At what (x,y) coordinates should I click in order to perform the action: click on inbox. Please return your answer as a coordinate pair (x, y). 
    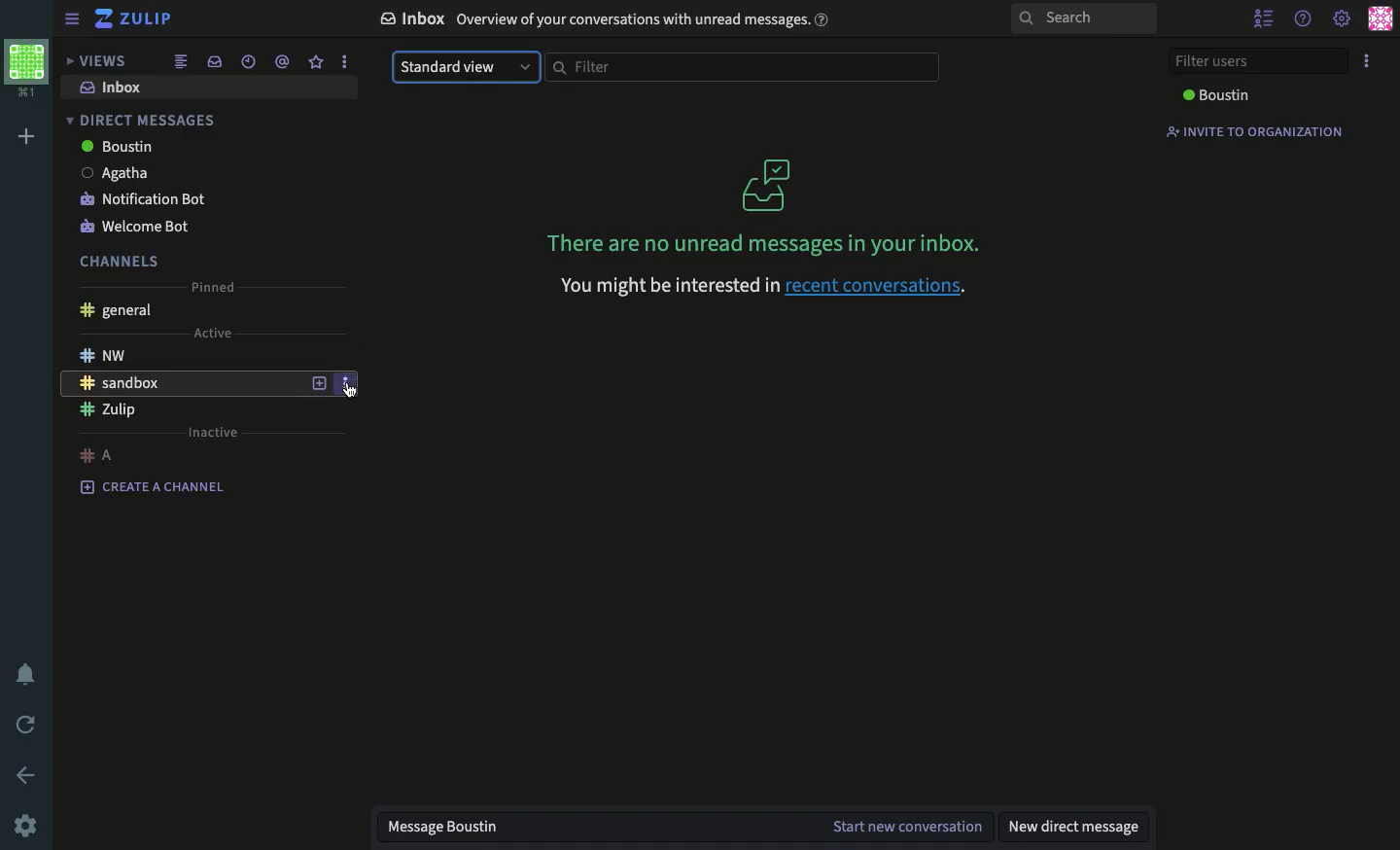
    Looking at the image, I should click on (115, 87).